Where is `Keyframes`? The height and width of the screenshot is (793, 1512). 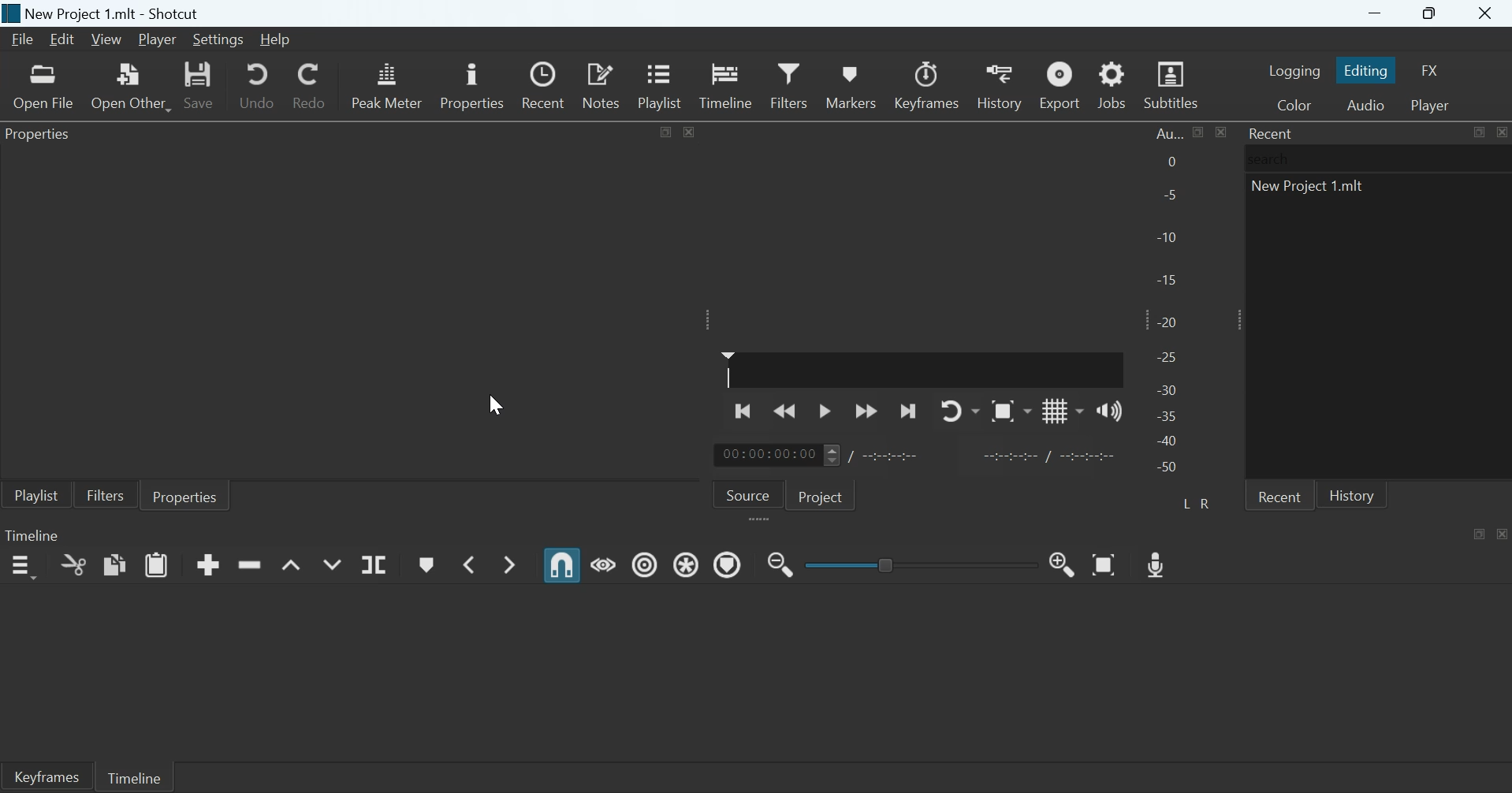
Keyframes is located at coordinates (928, 85).